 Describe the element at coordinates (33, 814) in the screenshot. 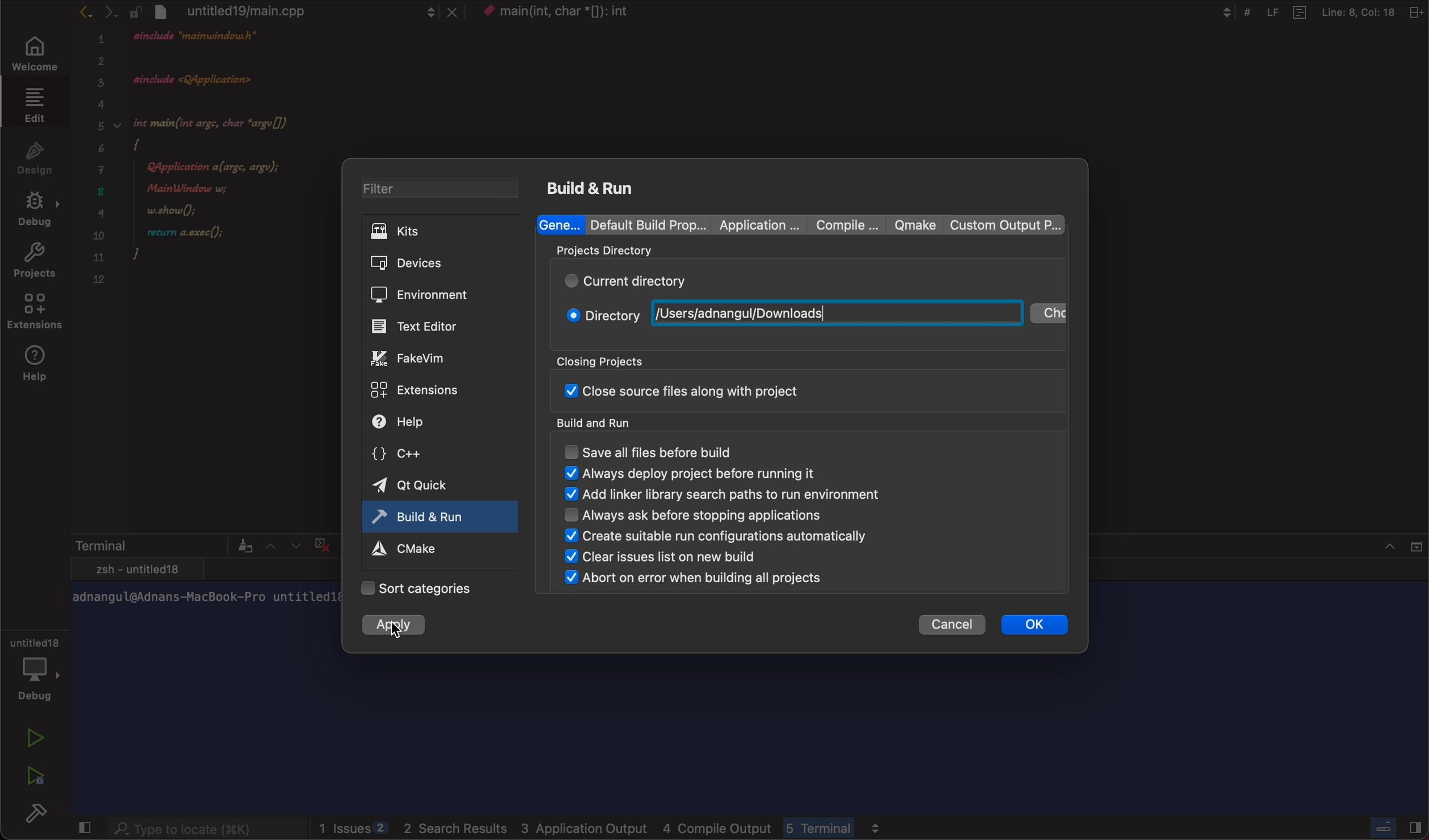

I see `build` at that location.